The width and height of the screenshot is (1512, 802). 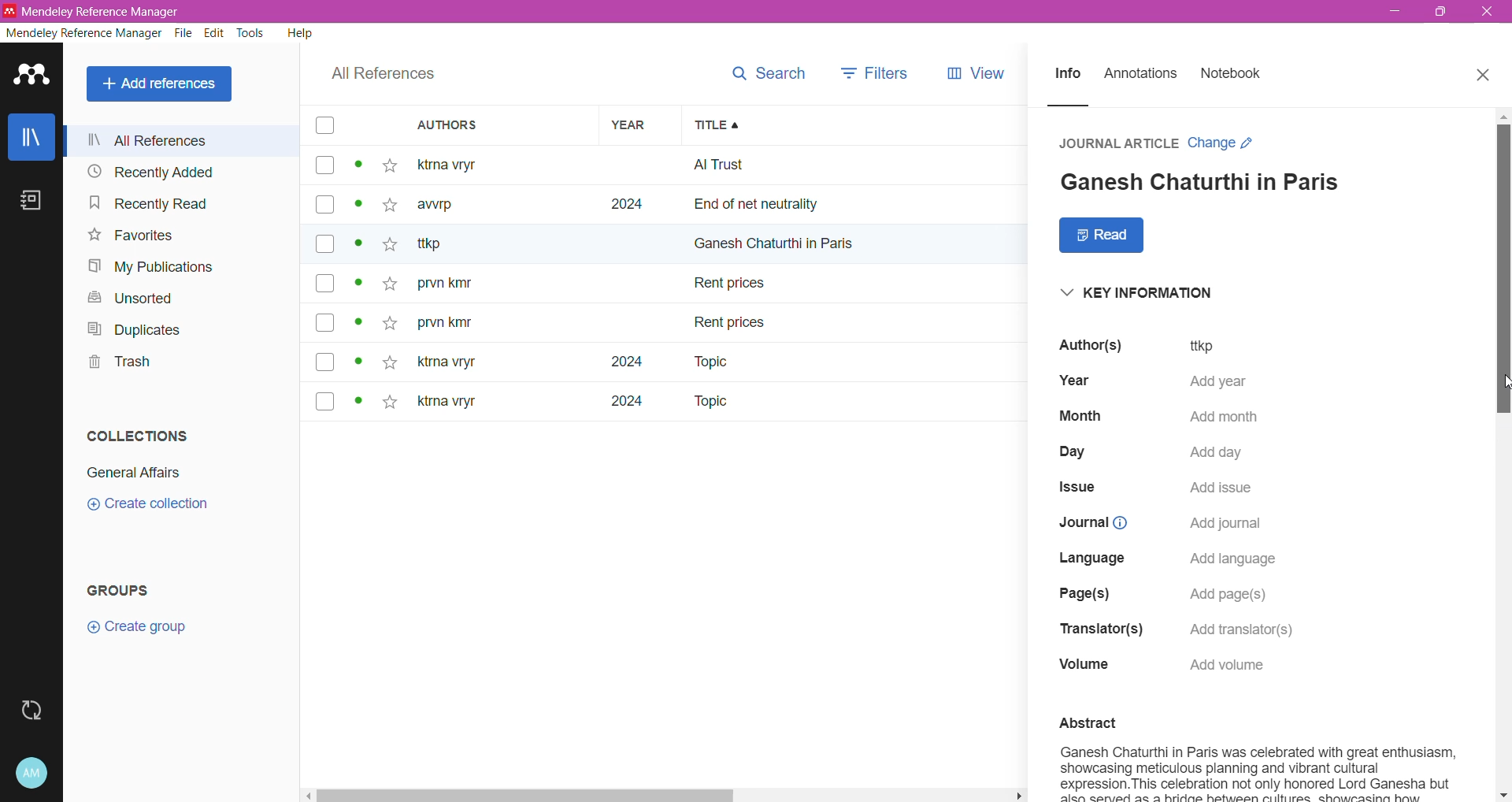 What do you see at coordinates (1488, 12) in the screenshot?
I see `Close` at bounding box center [1488, 12].